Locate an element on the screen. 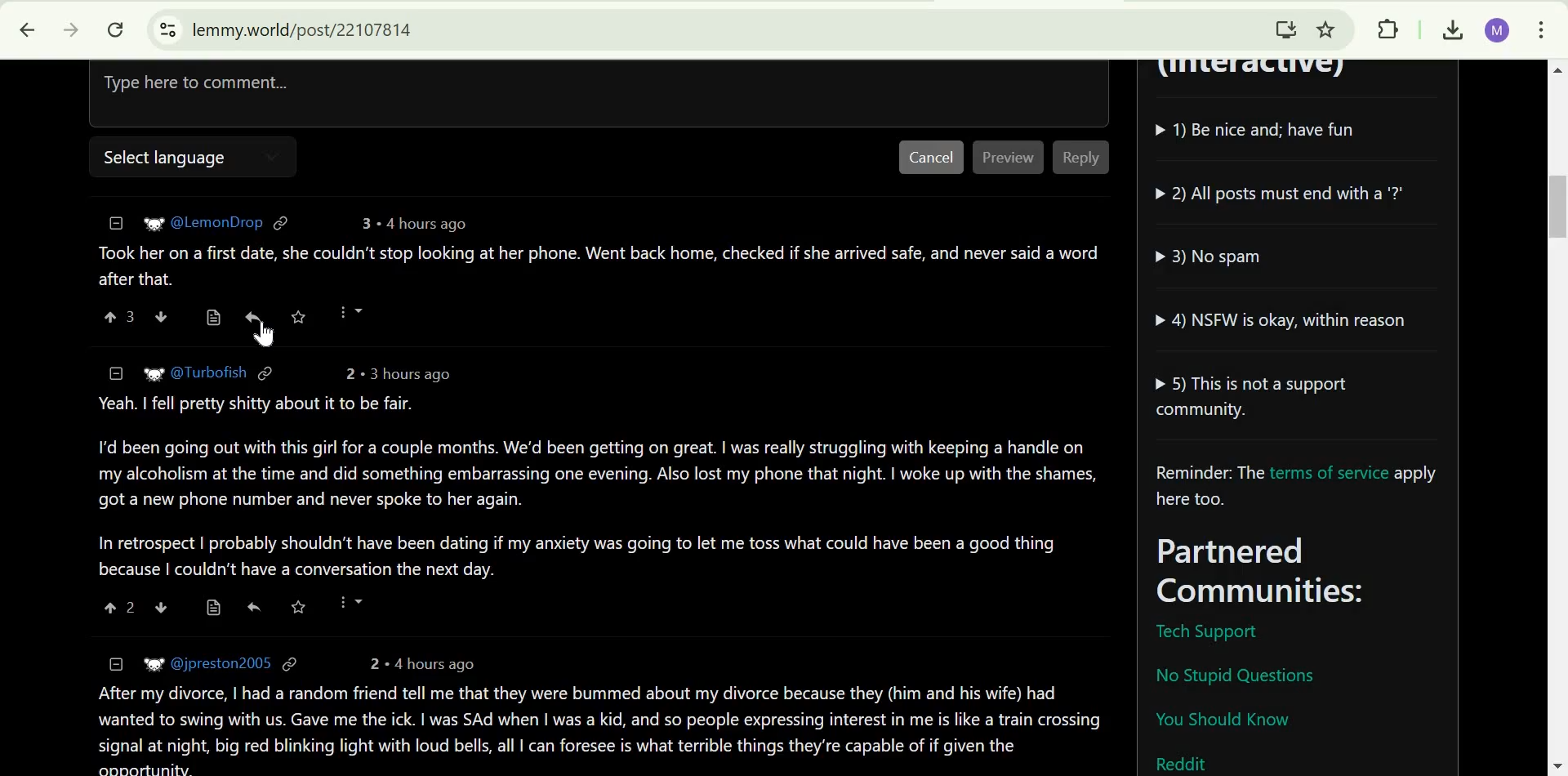 The width and height of the screenshot is (1568, 776). scrollbar is located at coordinates (1555, 418).